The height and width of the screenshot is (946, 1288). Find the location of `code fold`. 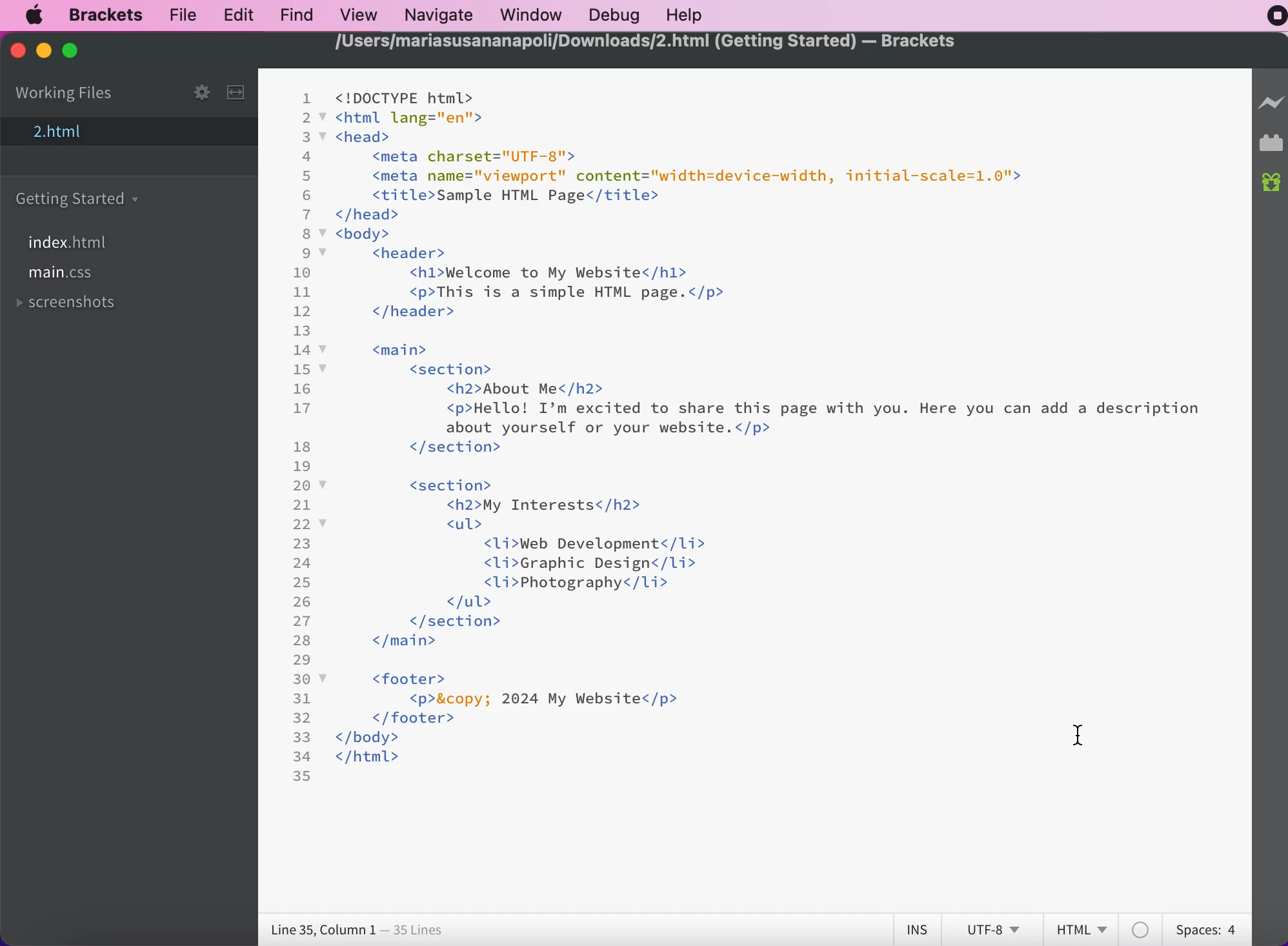

code fold is located at coordinates (324, 523).